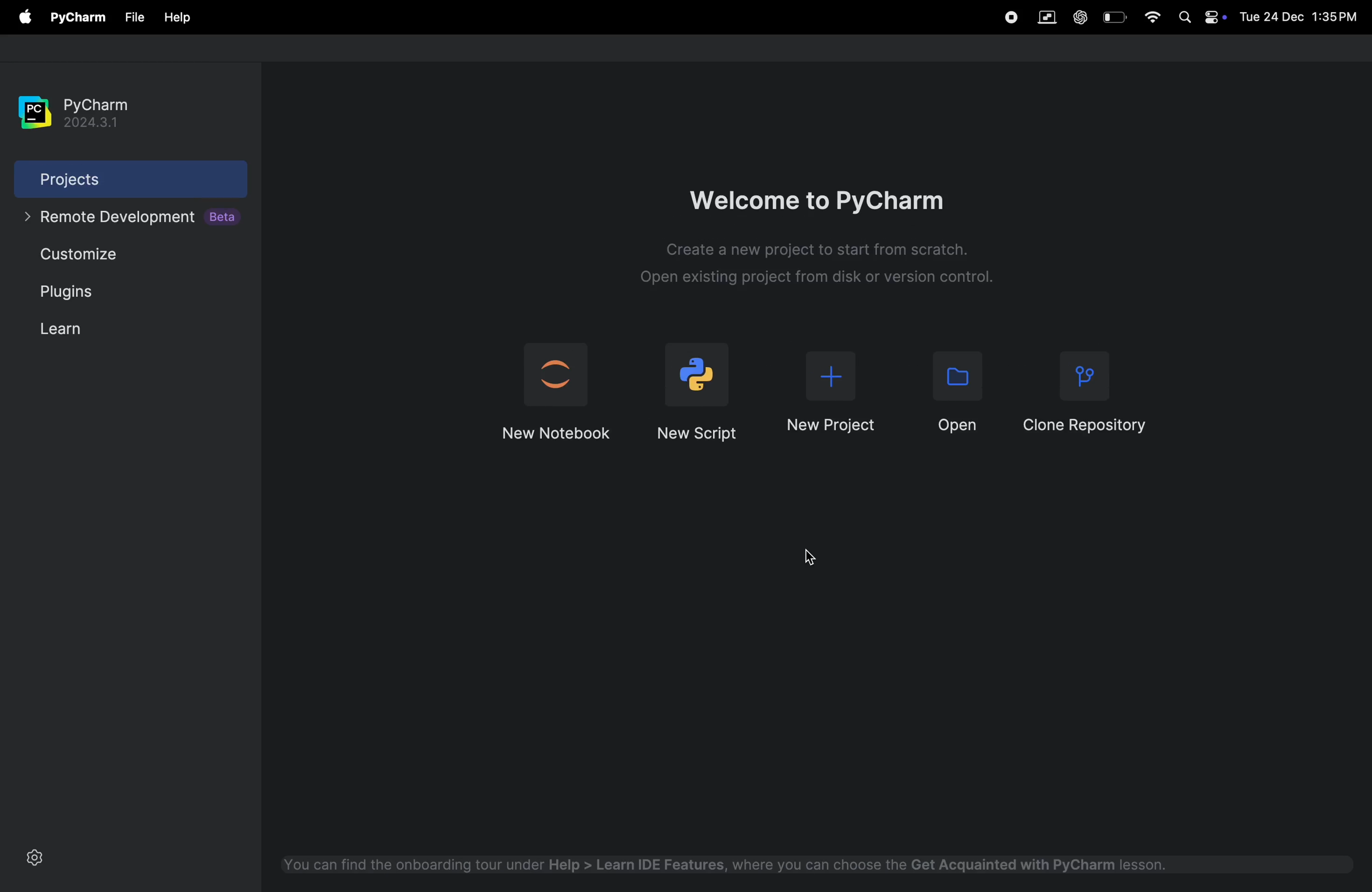 The height and width of the screenshot is (892, 1372). I want to click on plugins, so click(61, 289).